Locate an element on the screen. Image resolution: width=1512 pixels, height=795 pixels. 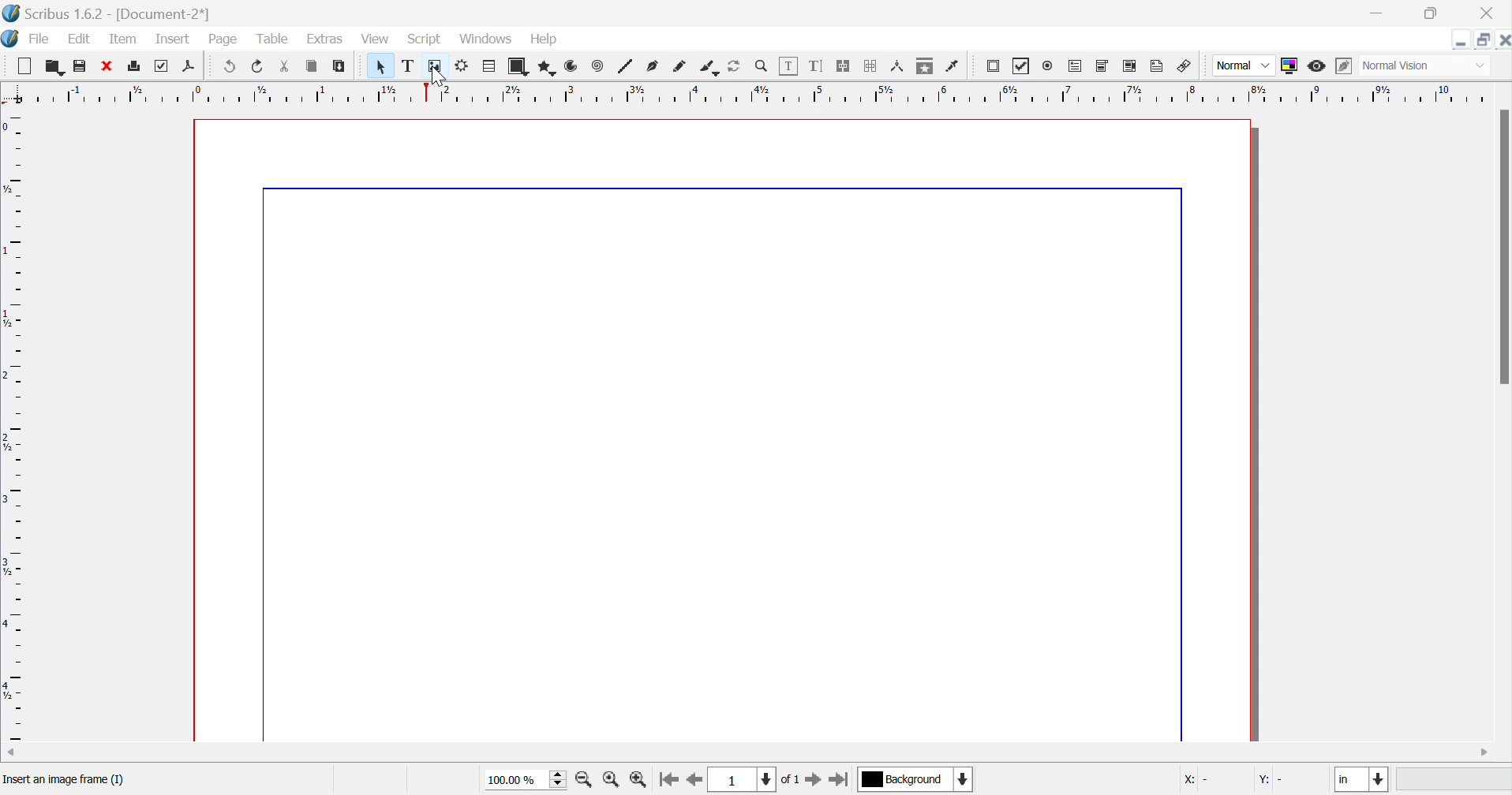
eye dropper is located at coordinates (955, 66).